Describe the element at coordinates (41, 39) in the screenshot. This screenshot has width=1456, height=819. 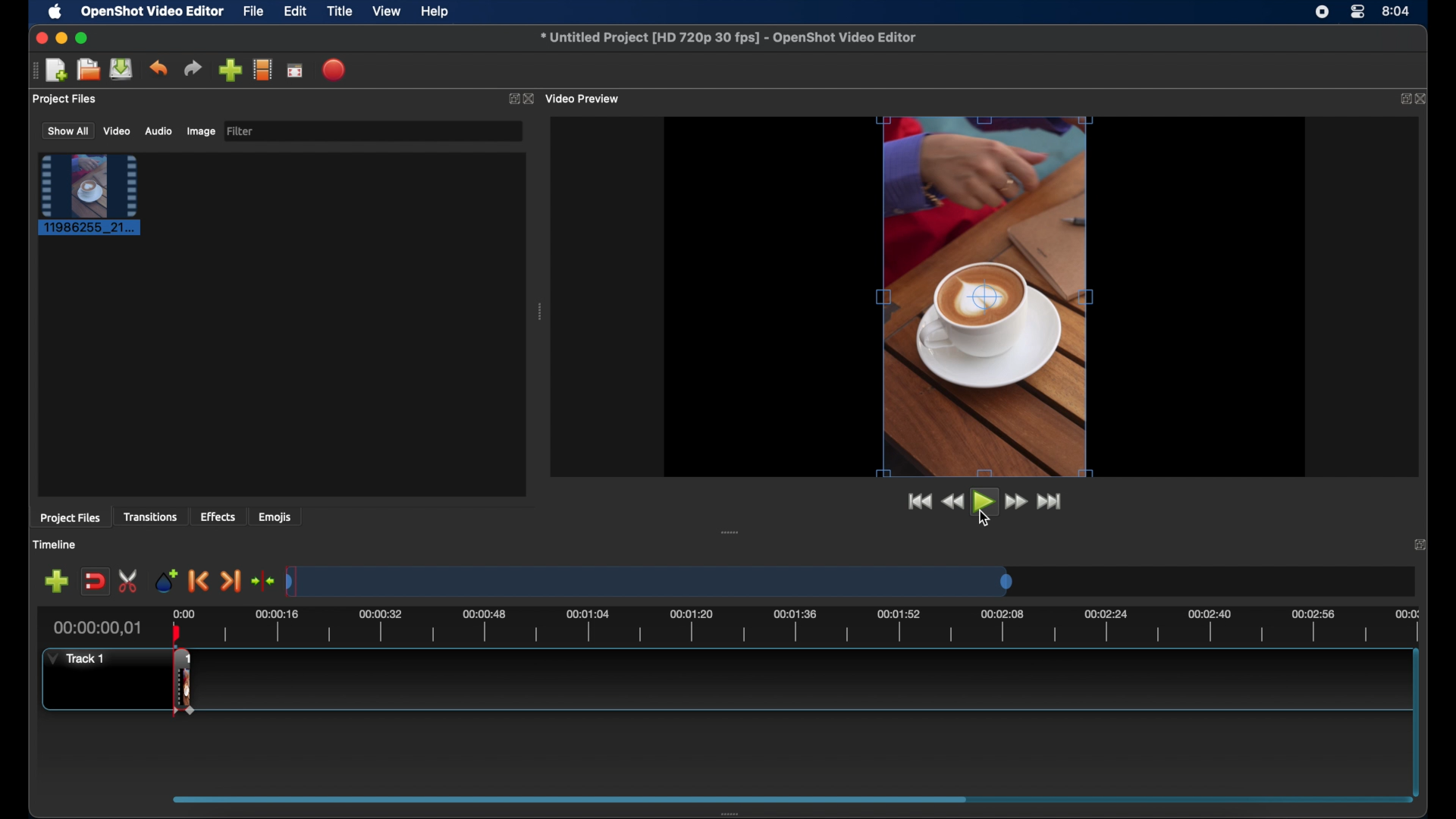
I see `close` at that location.